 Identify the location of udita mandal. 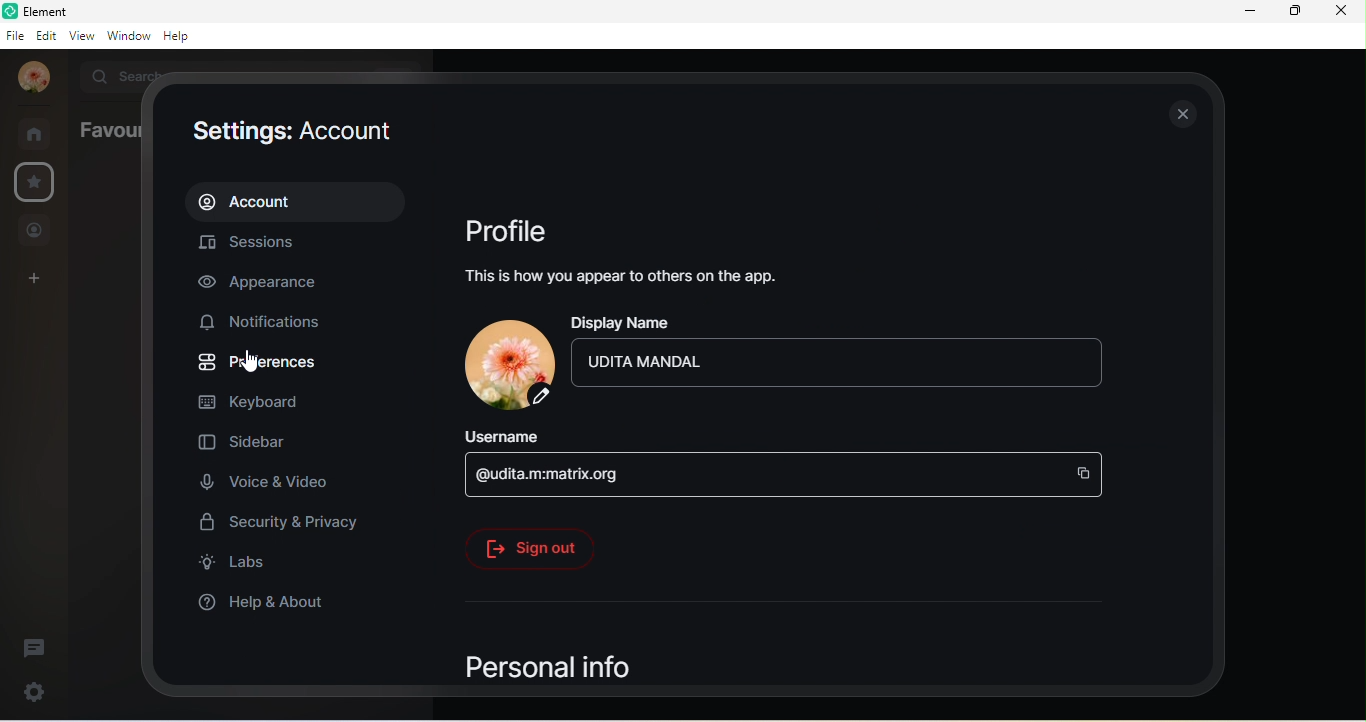
(29, 78).